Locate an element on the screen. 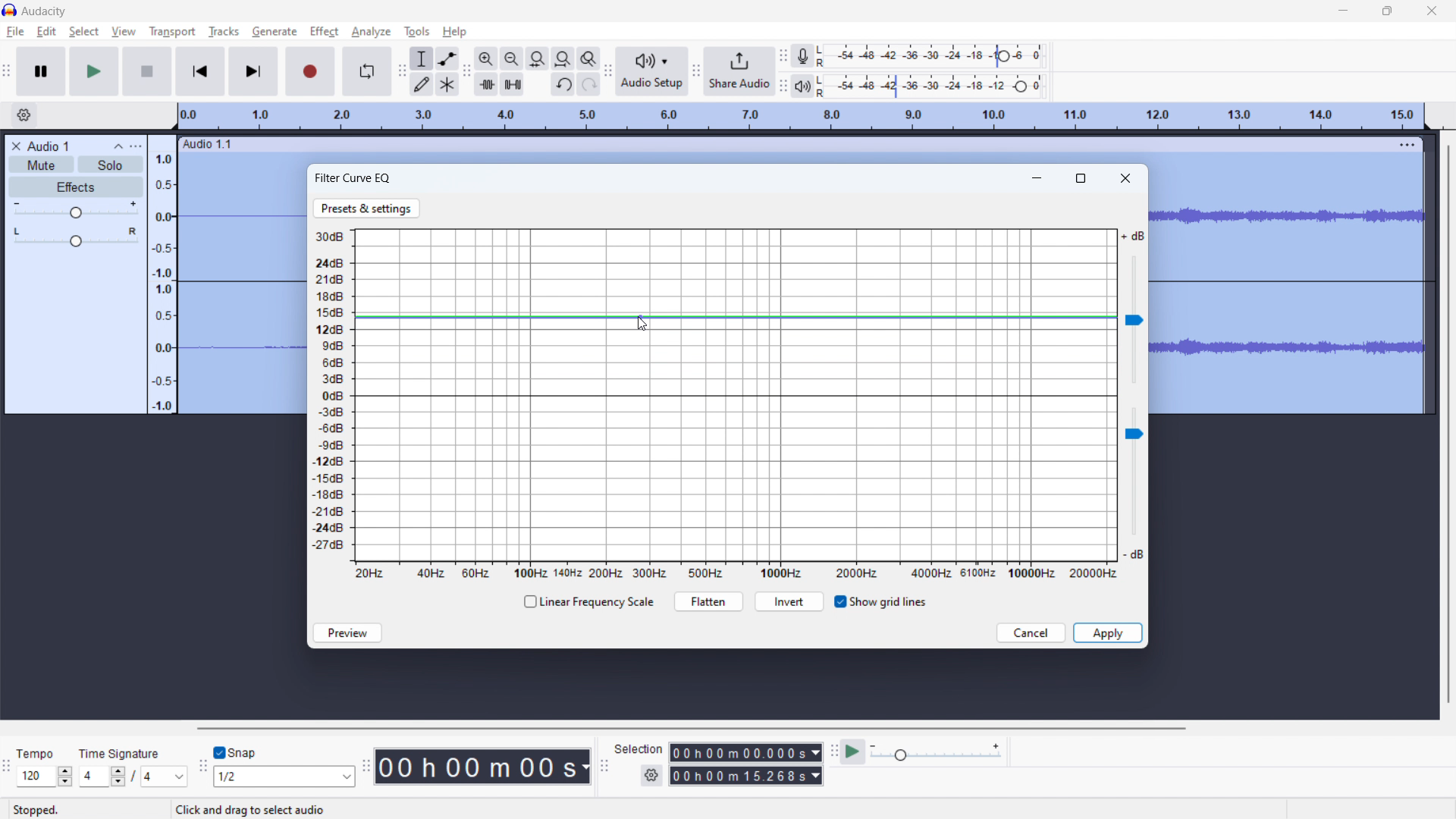 This screenshot has width=1456, height=819. audio setup toolbar is located at coordinates (608, 71).